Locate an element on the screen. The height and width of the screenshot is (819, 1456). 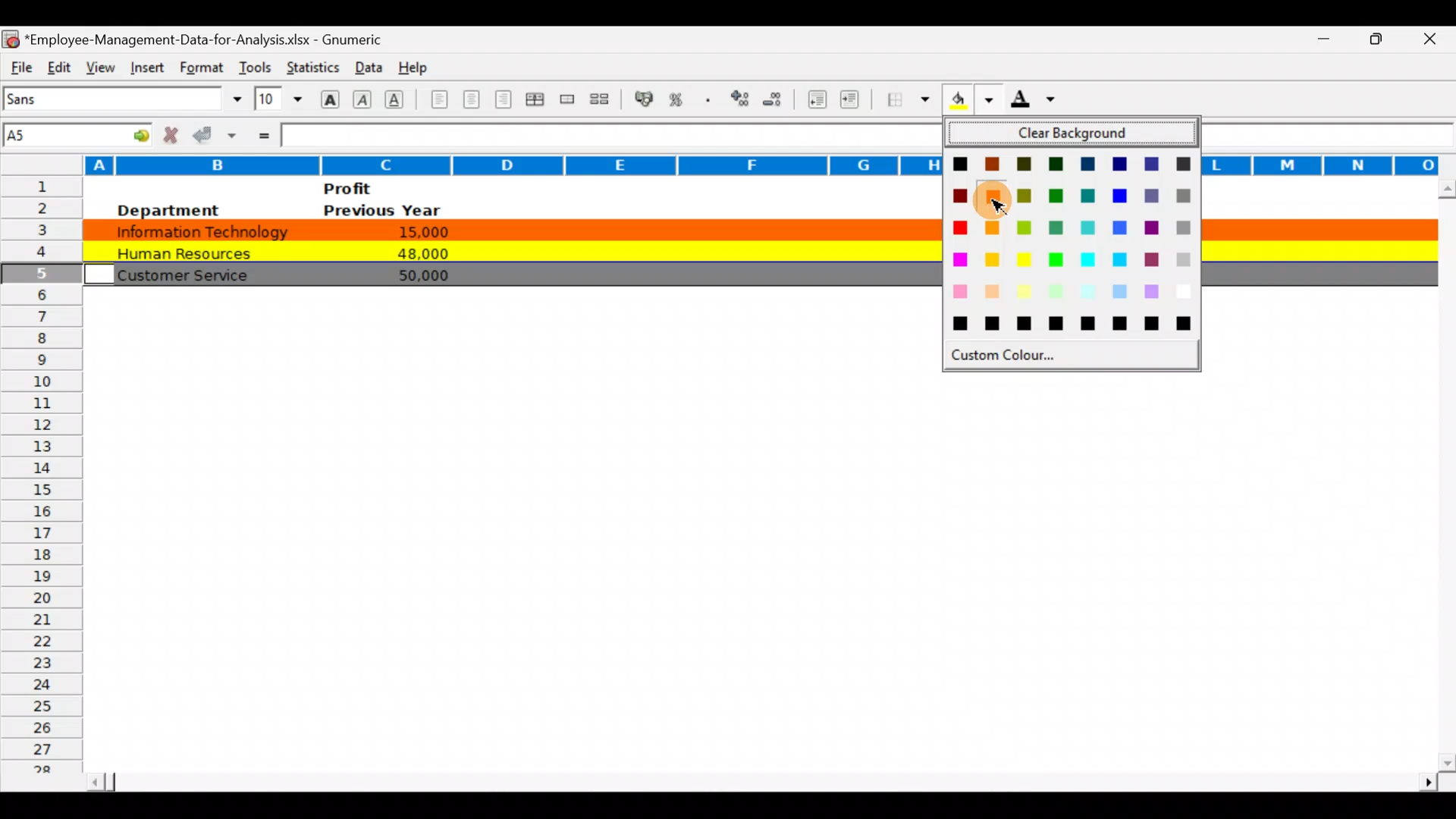
Foreground is located at coordinates (1038, 104).